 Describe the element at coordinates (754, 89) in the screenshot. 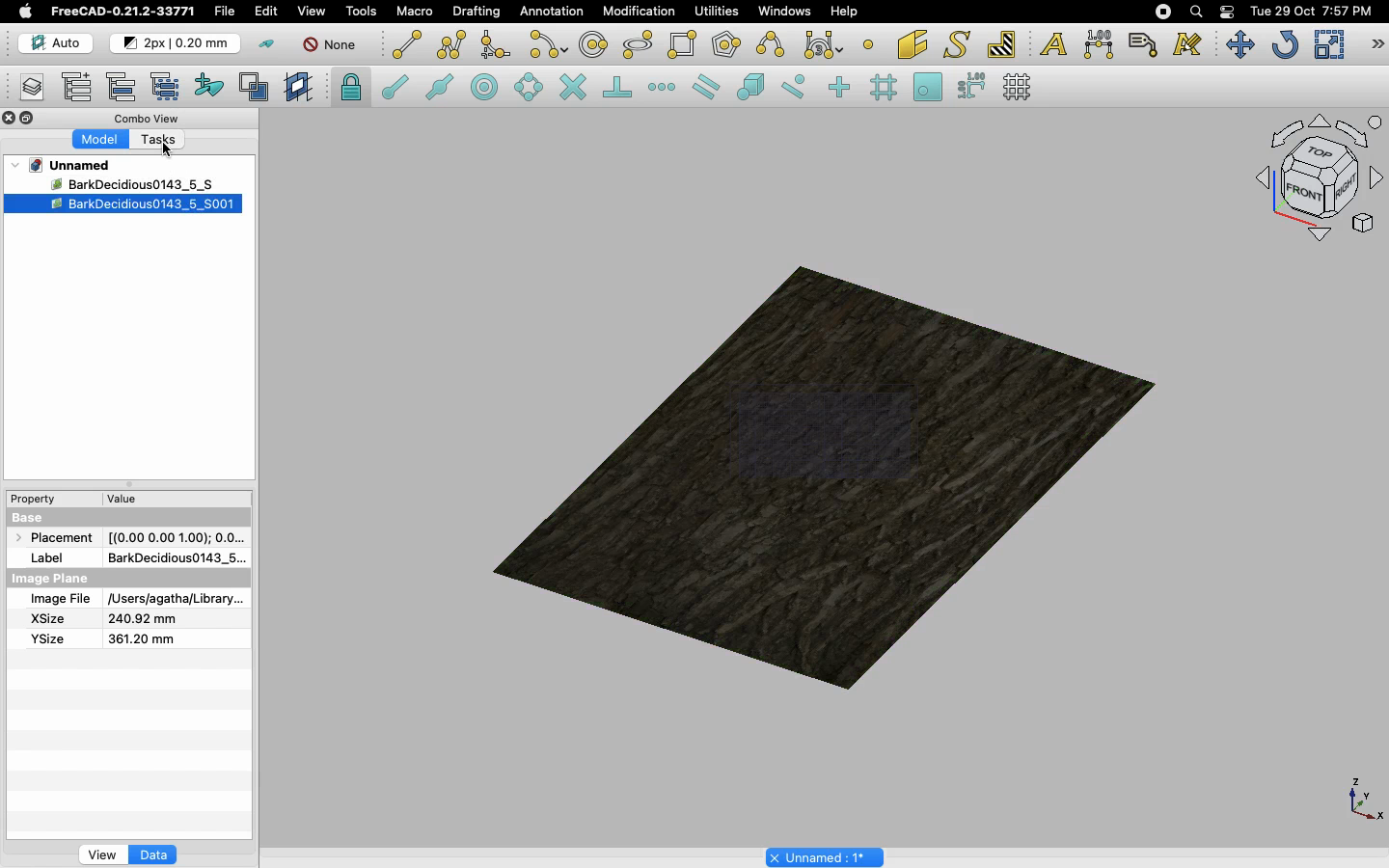

I see `Snap special ` at that location.